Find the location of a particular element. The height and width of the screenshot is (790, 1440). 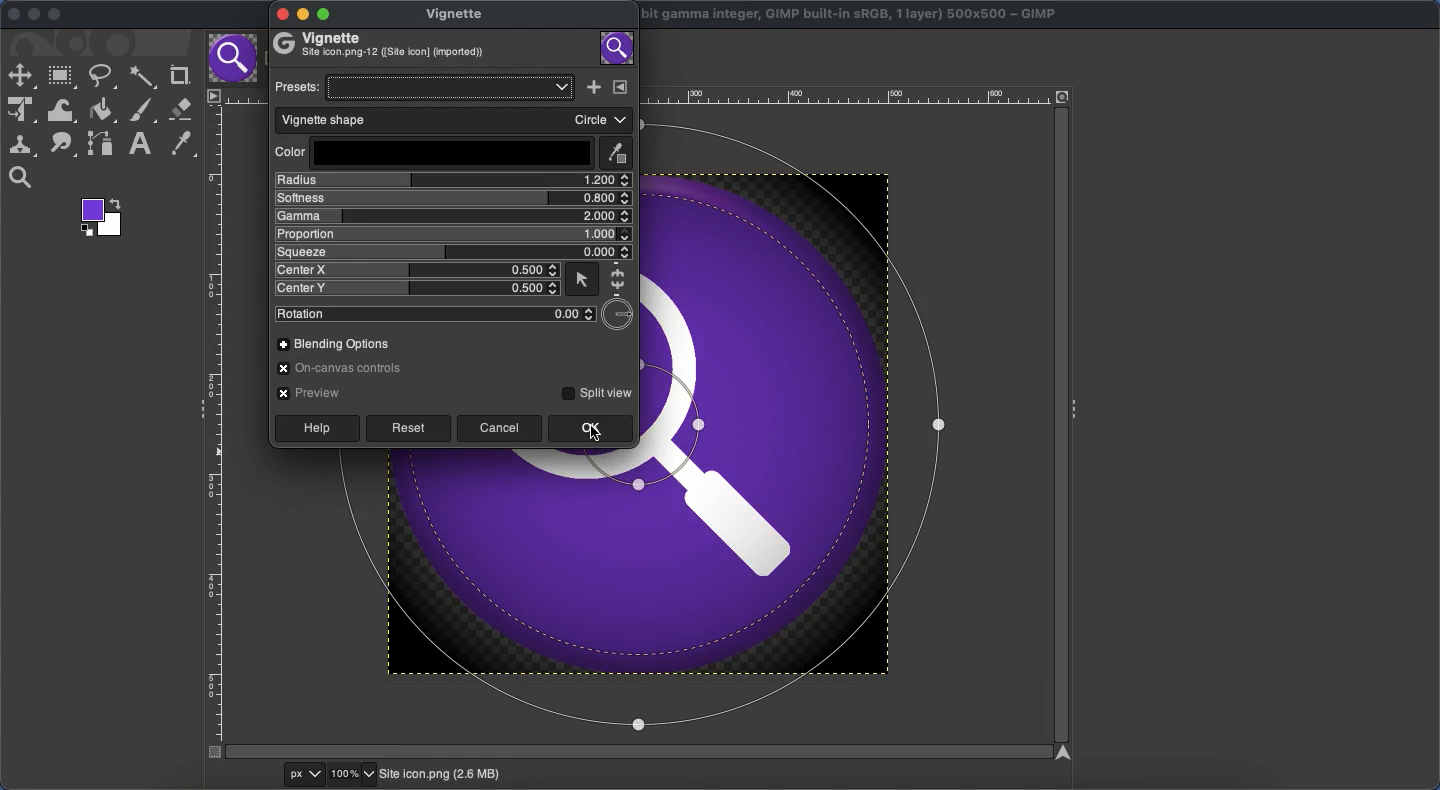

Color is located at coordinates (431, 153).